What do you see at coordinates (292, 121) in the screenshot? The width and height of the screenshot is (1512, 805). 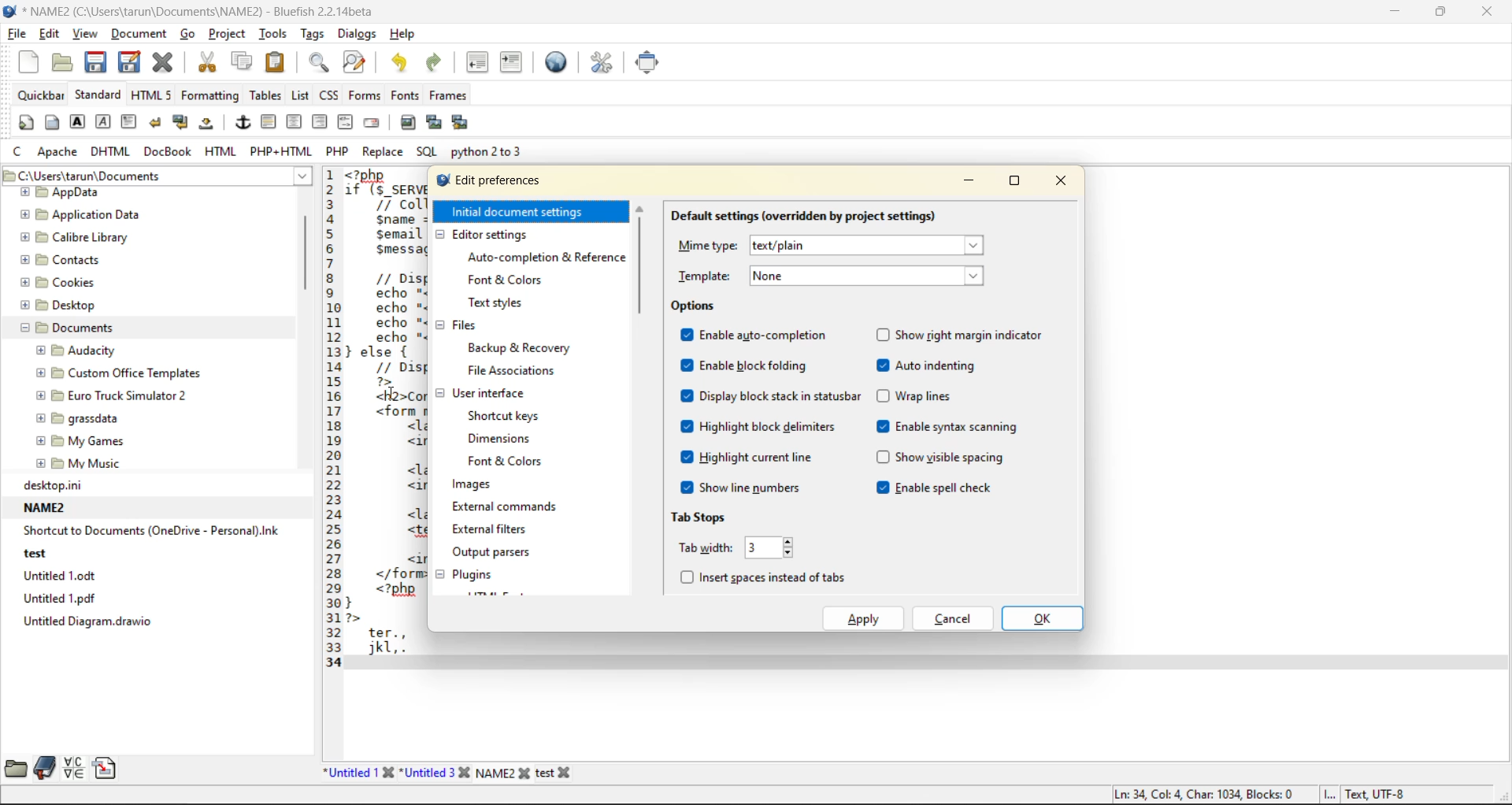 I see `center` at bounding box center [292, 121].